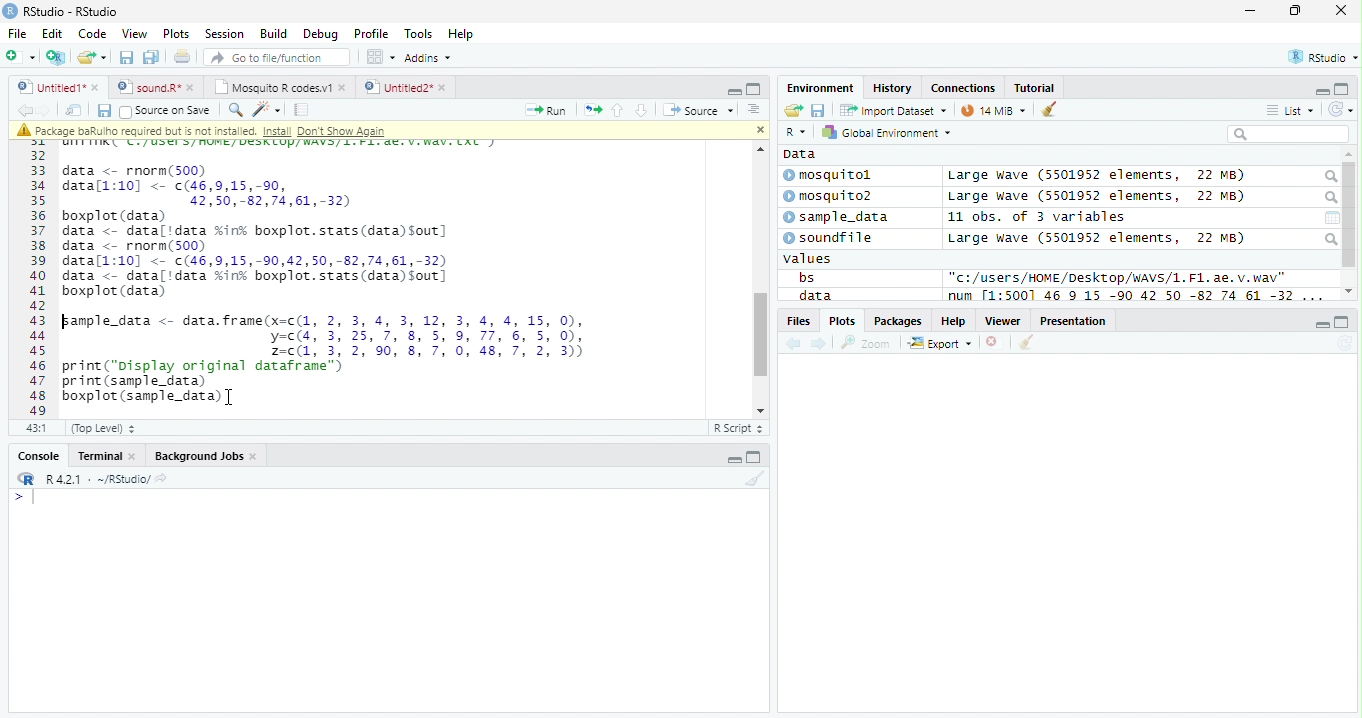 The image size is (1362, 718). What do you see at coordinates (430, 57) in the screenshot?
I see `Addins` at bounding box center [430, 57].